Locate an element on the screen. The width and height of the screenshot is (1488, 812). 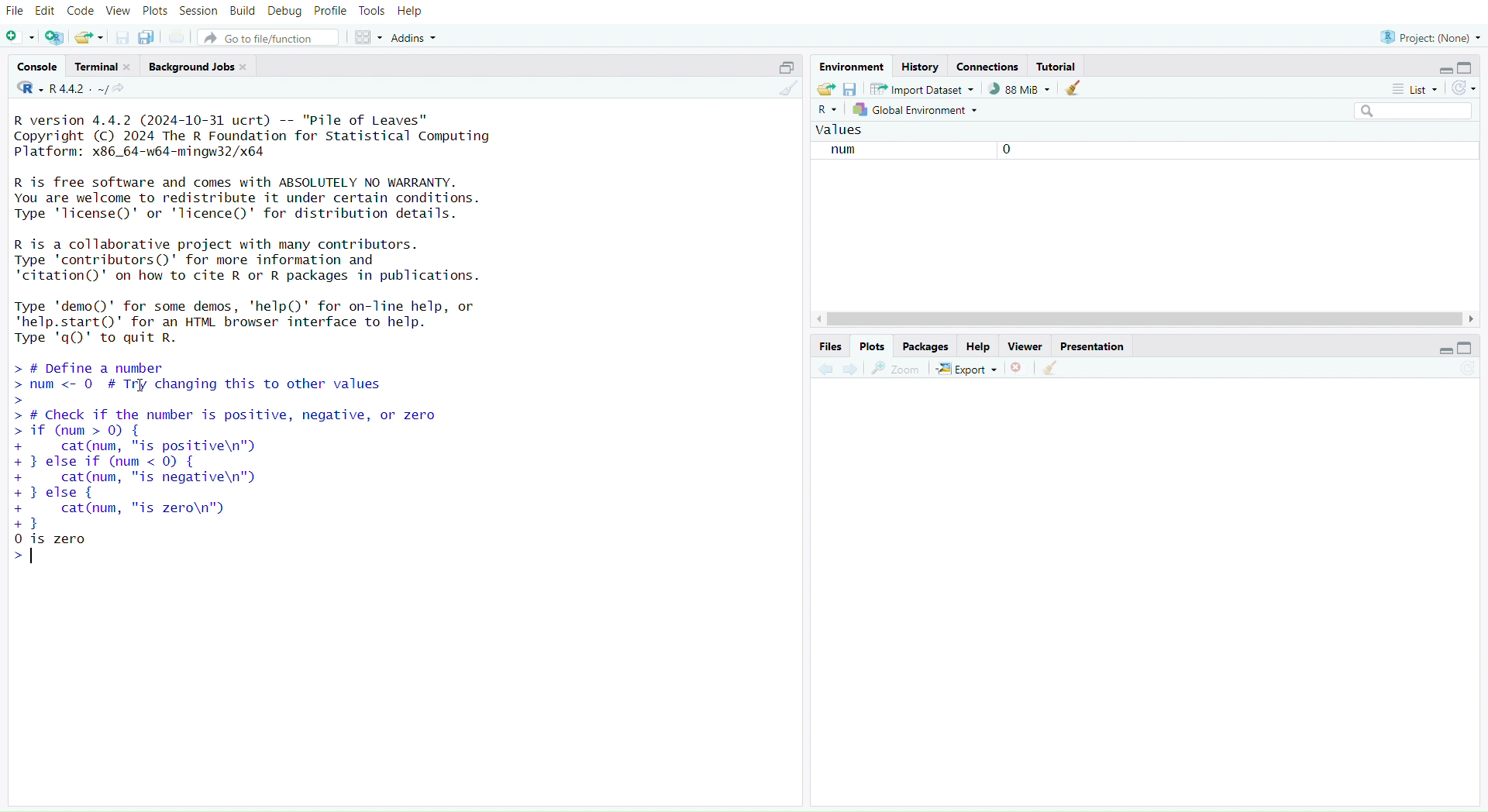
0 is located at coordinates (1003, 151).